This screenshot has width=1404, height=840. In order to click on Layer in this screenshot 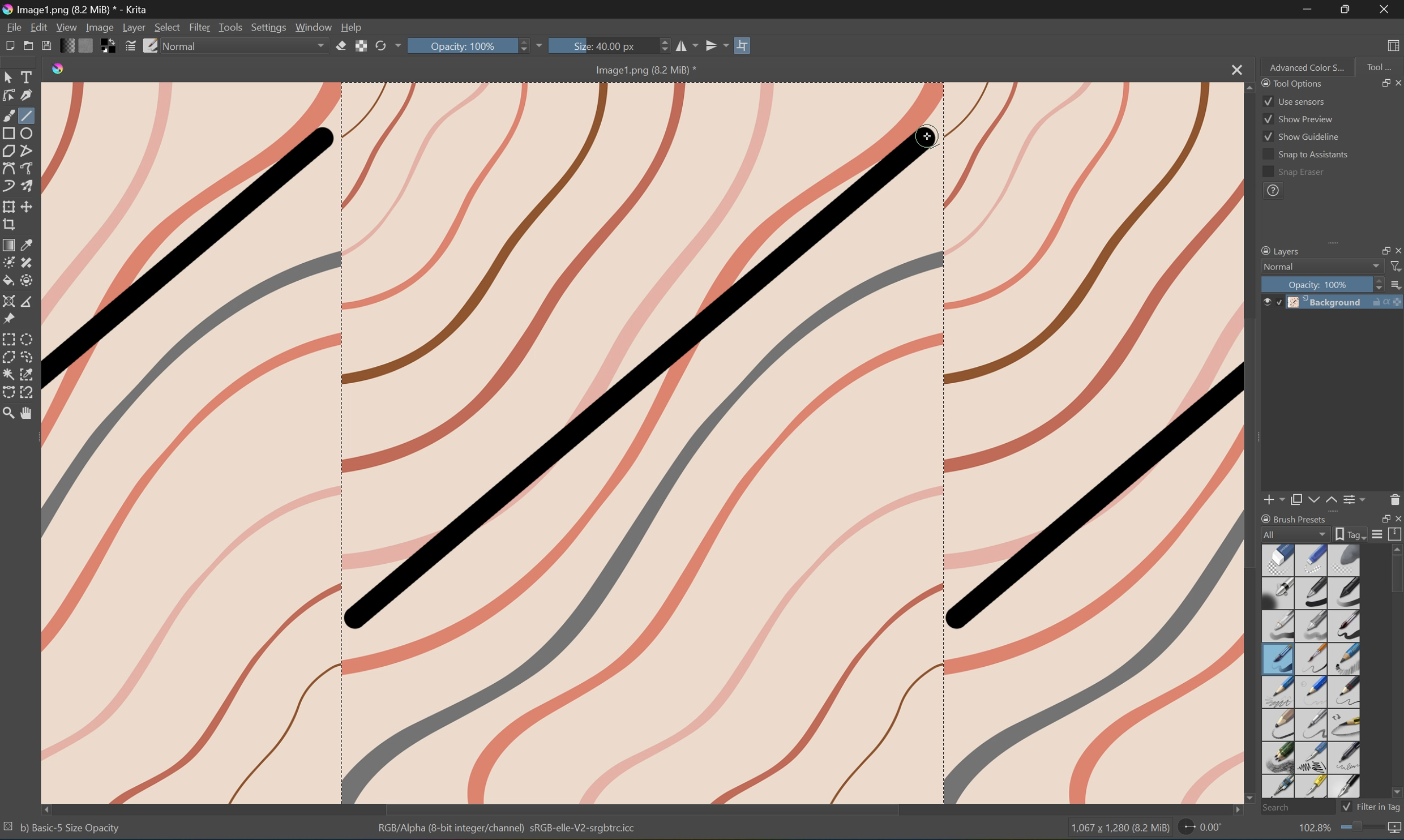, I will do `click(134, 27)`.